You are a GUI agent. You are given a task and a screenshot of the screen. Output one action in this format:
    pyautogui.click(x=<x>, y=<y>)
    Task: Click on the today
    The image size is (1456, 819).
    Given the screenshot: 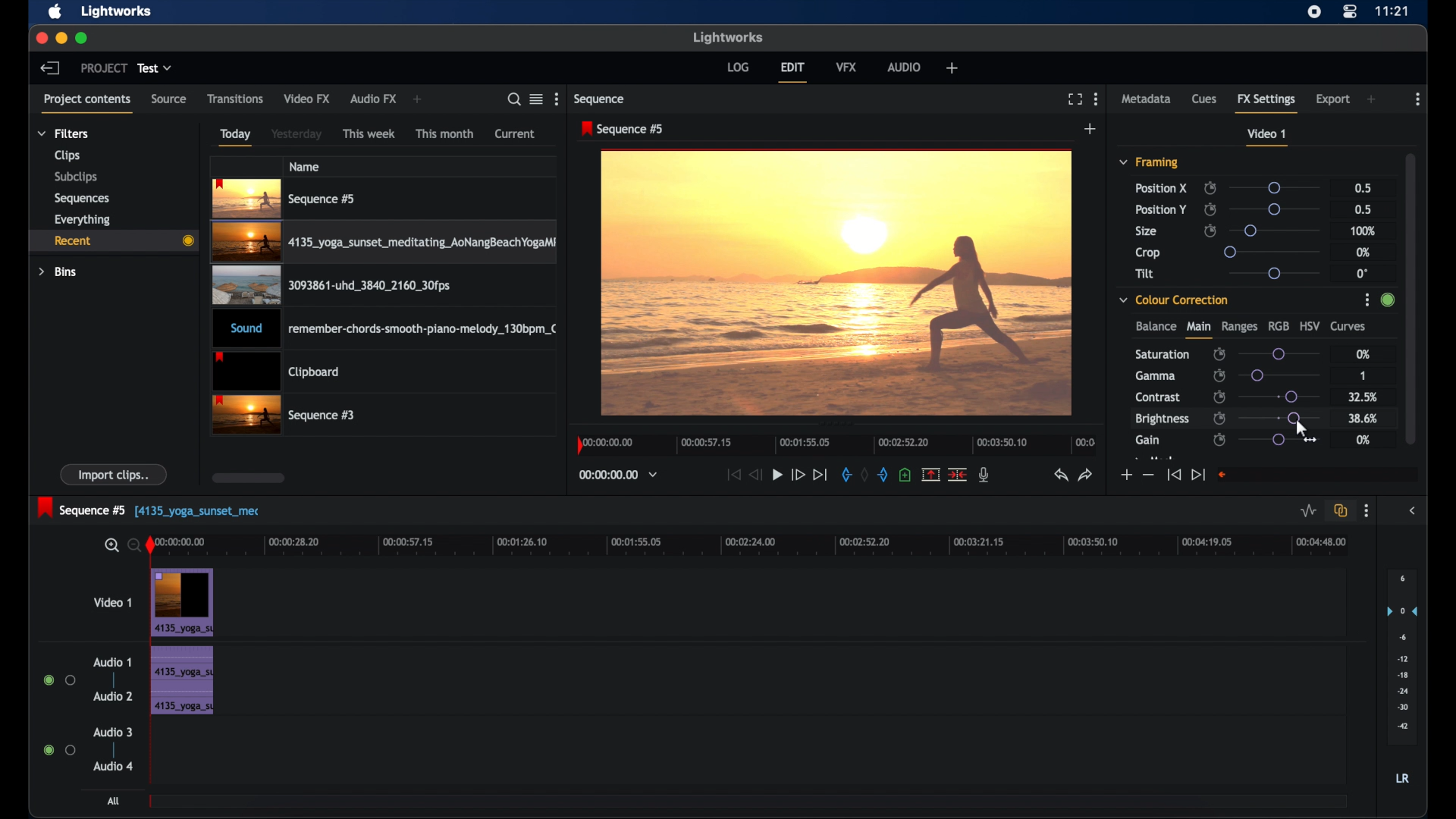 What is the action you would take?
    pyautogui.click(x=235, y=137)
    